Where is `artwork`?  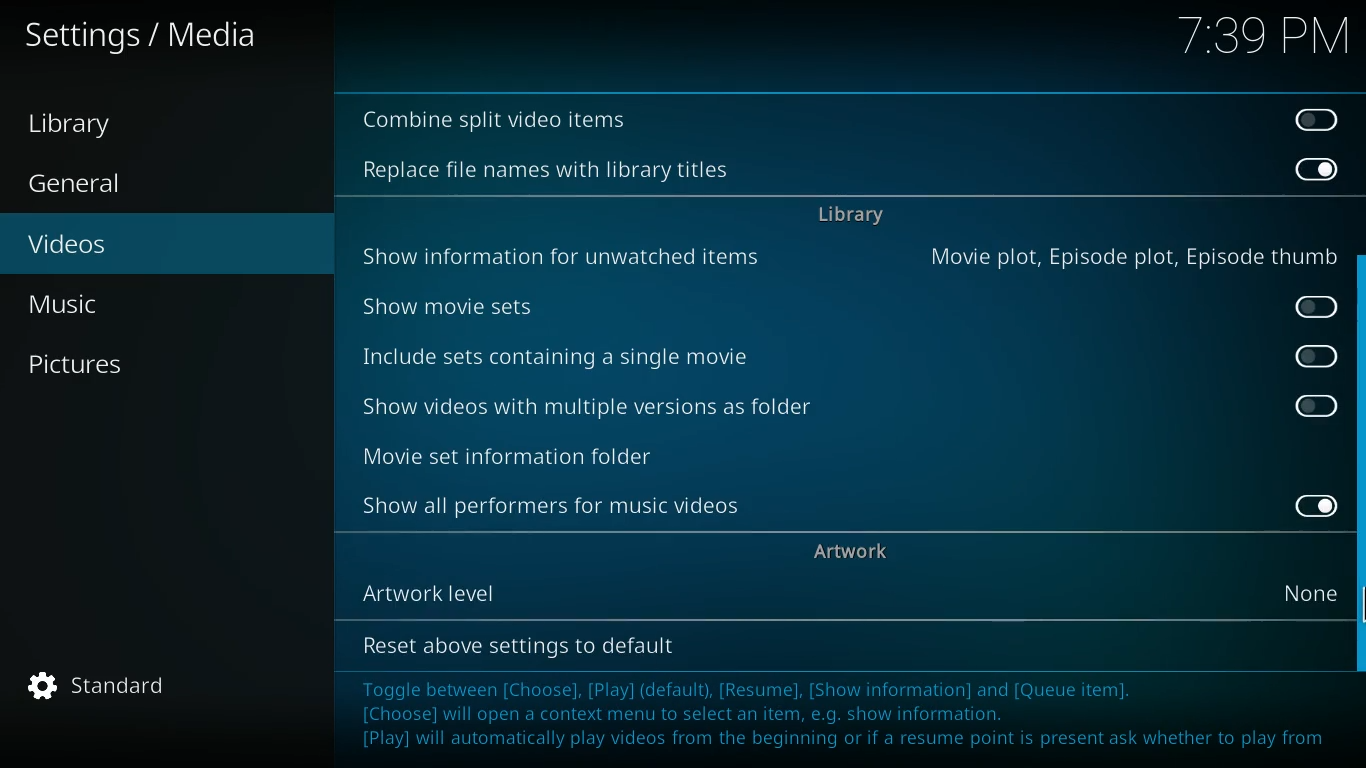
artwork is located at coordinates (854, 549).